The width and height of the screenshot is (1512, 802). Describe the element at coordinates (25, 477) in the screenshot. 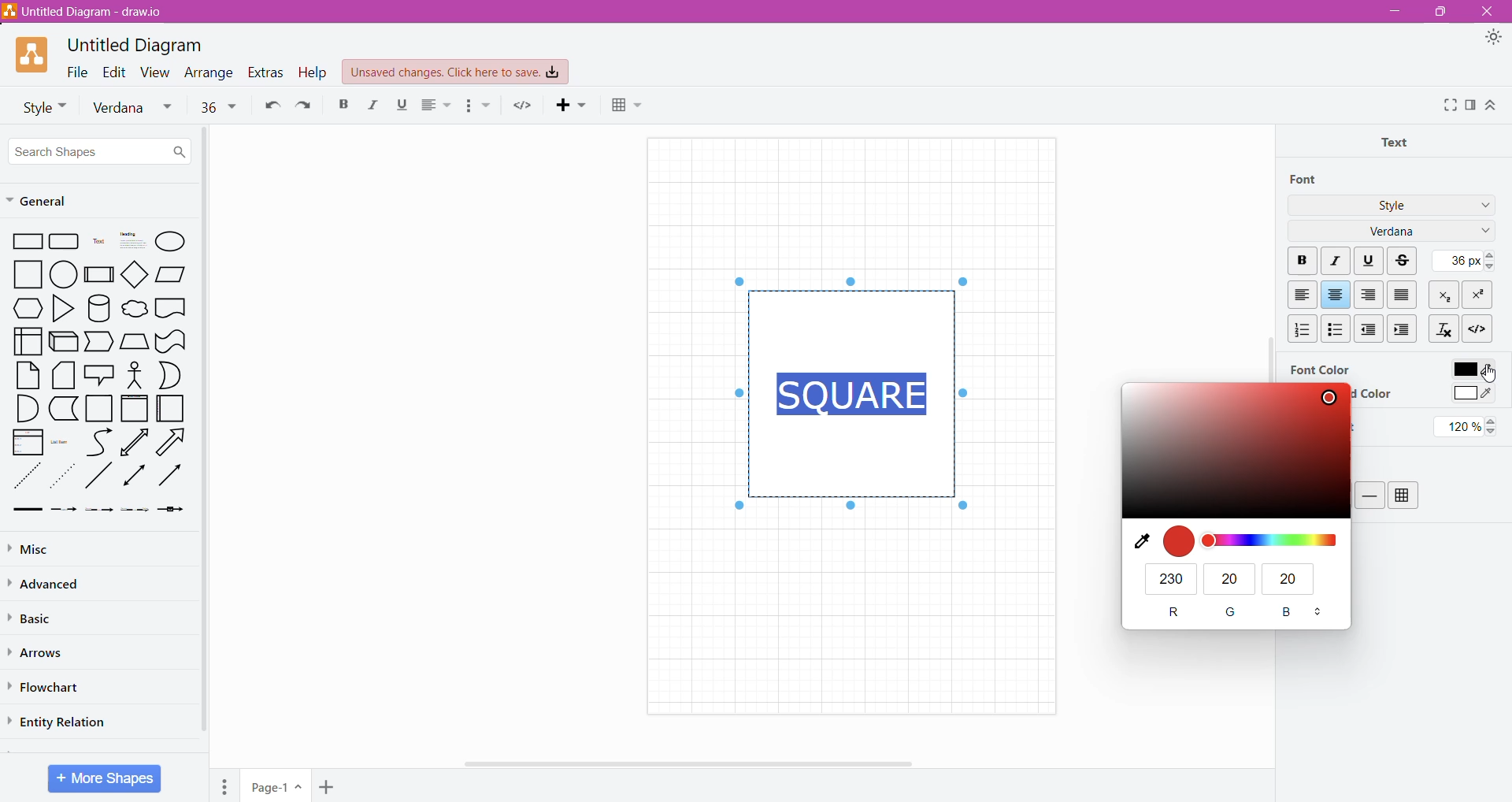

I see `Dotted Line` at that location.